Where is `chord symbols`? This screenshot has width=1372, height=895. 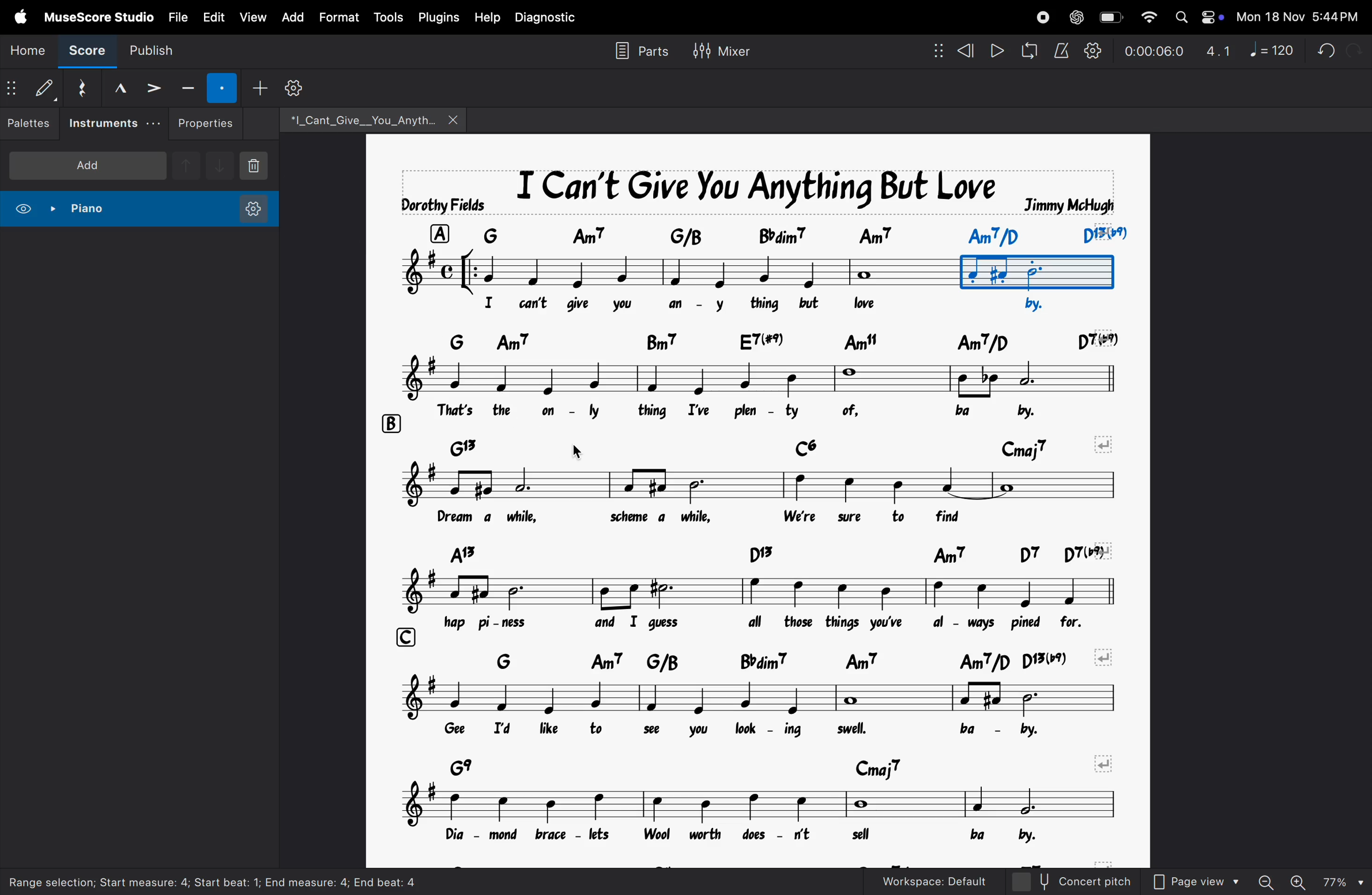
chord symbols is located at coordinates (772, 764).